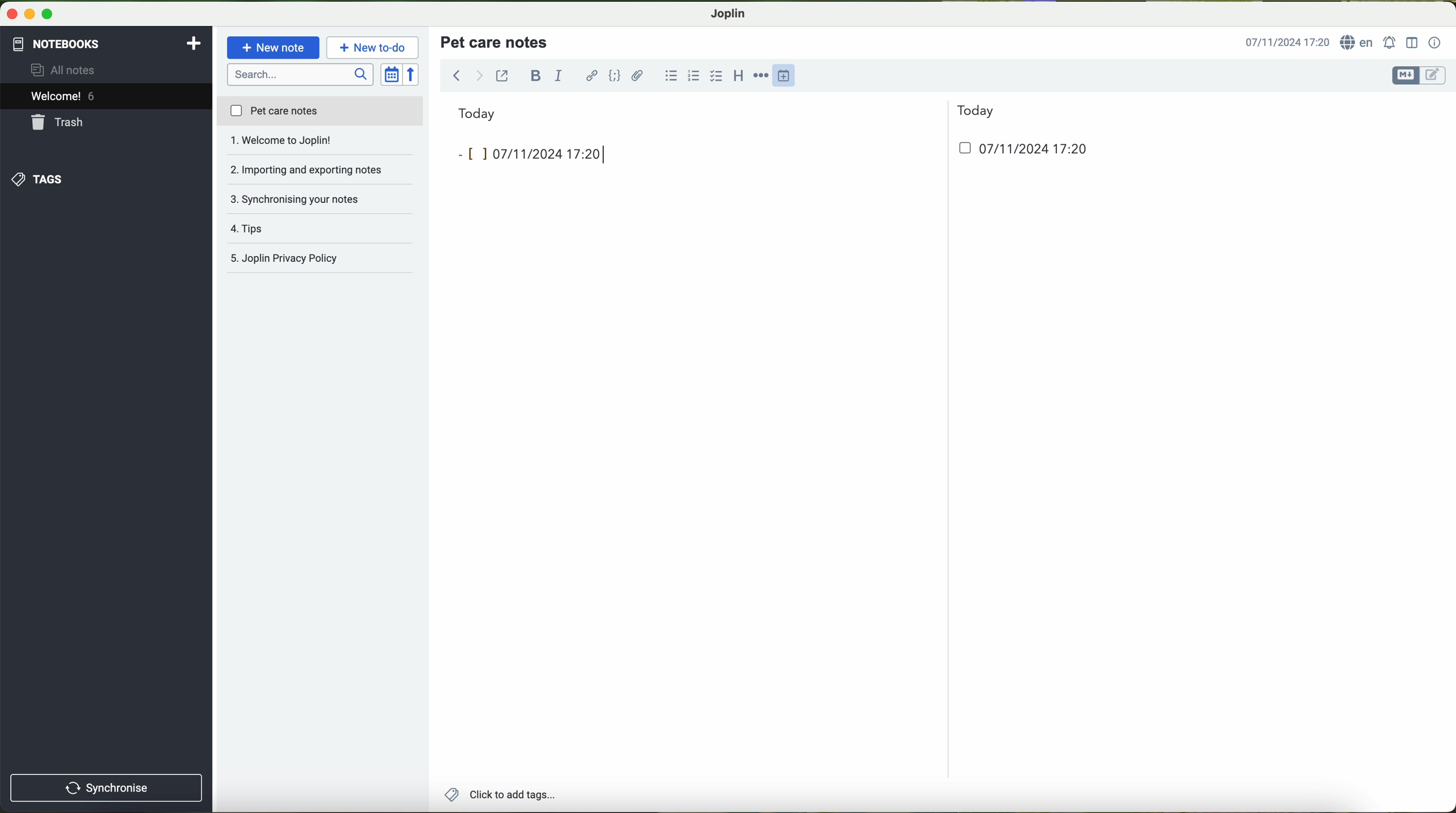  Describe the element at coordinates (28, 15) in the screenshot. I see `screen buttons` at that location.